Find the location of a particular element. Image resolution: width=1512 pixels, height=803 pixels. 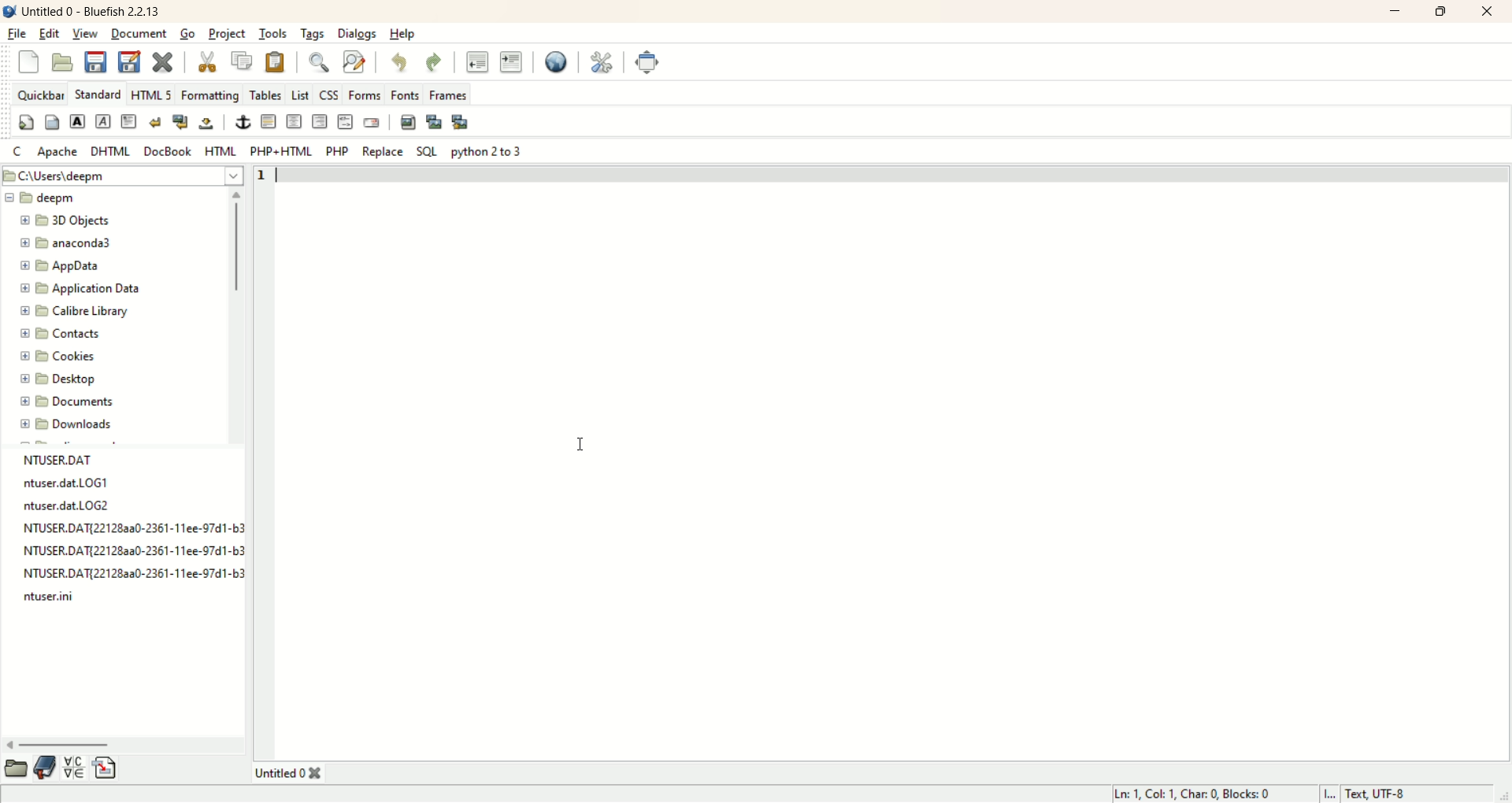

close is located at coordinates (1485, 10).